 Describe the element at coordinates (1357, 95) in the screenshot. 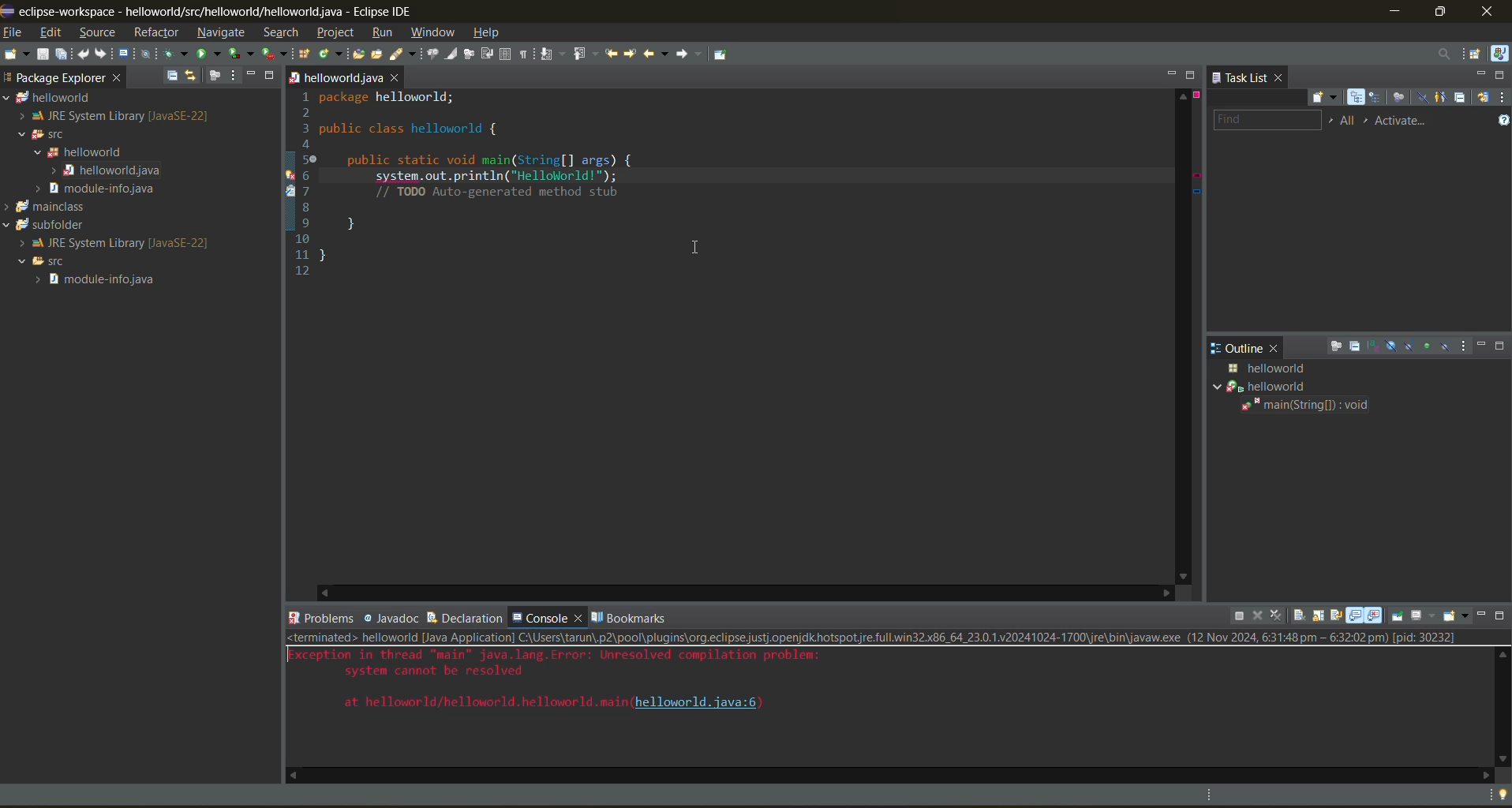

I see `categorized` at that location.